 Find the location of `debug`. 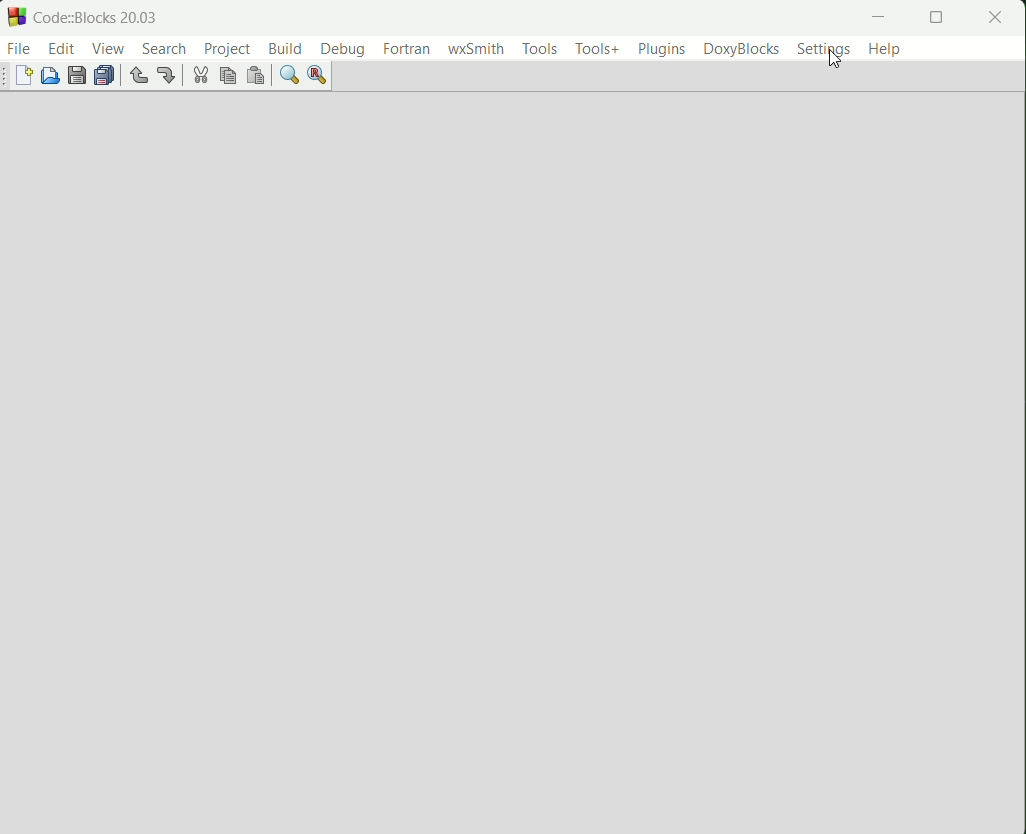

debug is located at coordinates (343, 50).